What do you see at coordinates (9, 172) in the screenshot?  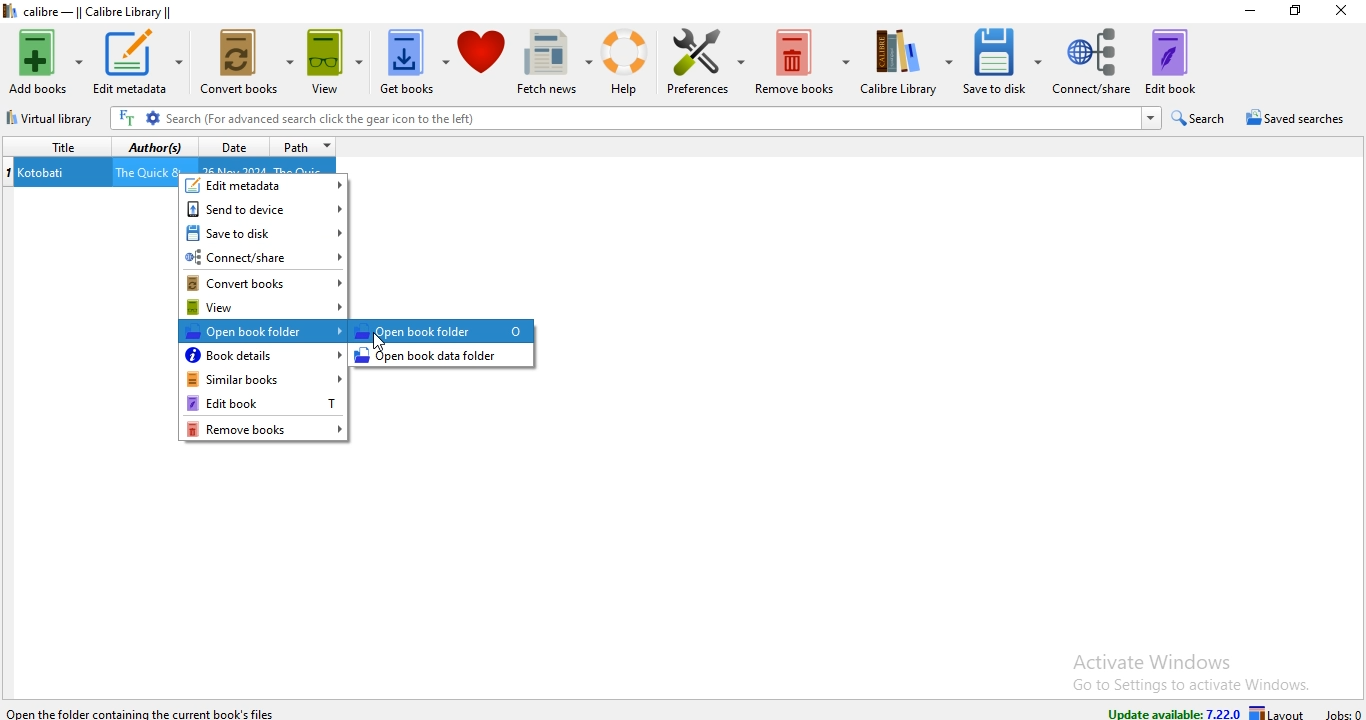 I see `index no` at bounding box center [9, 172].